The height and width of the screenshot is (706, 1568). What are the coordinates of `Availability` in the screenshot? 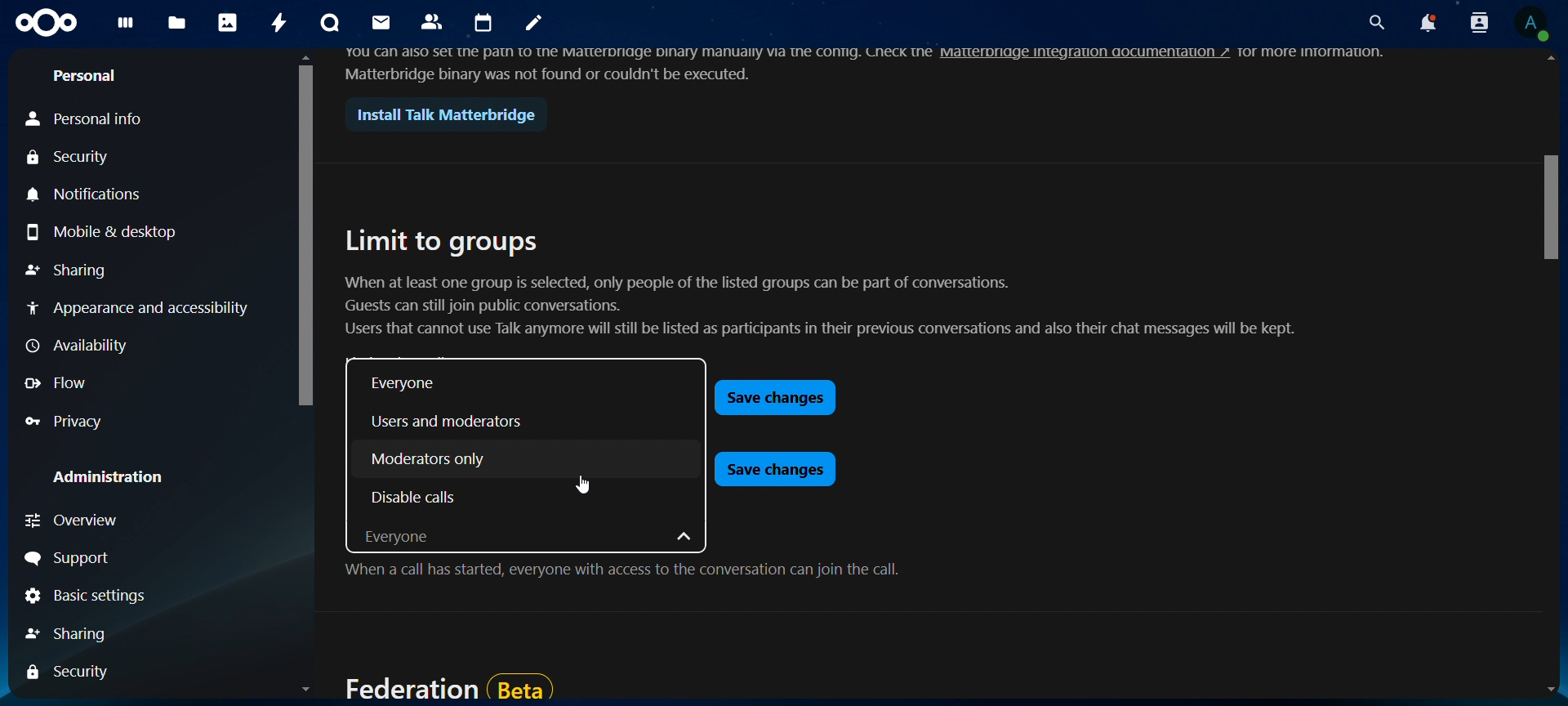 It's located at (76, 345).